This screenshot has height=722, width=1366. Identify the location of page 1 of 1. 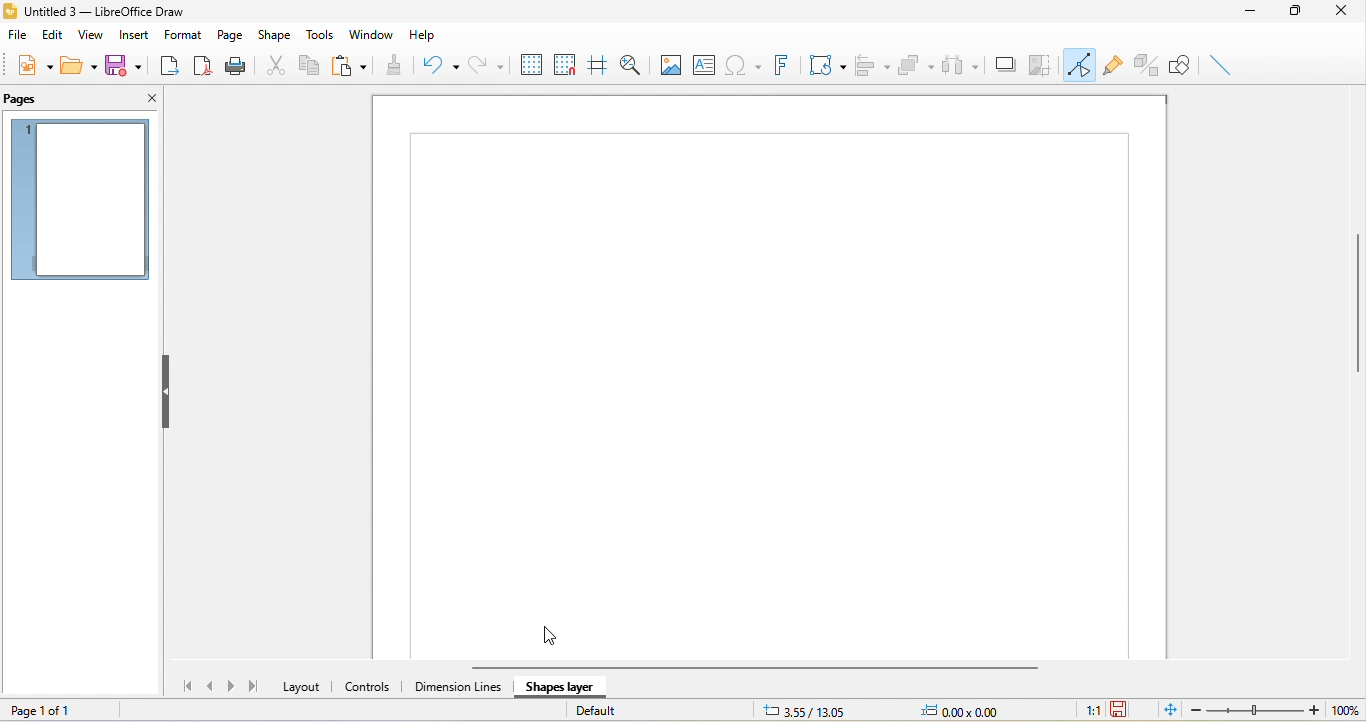
(56, 709).